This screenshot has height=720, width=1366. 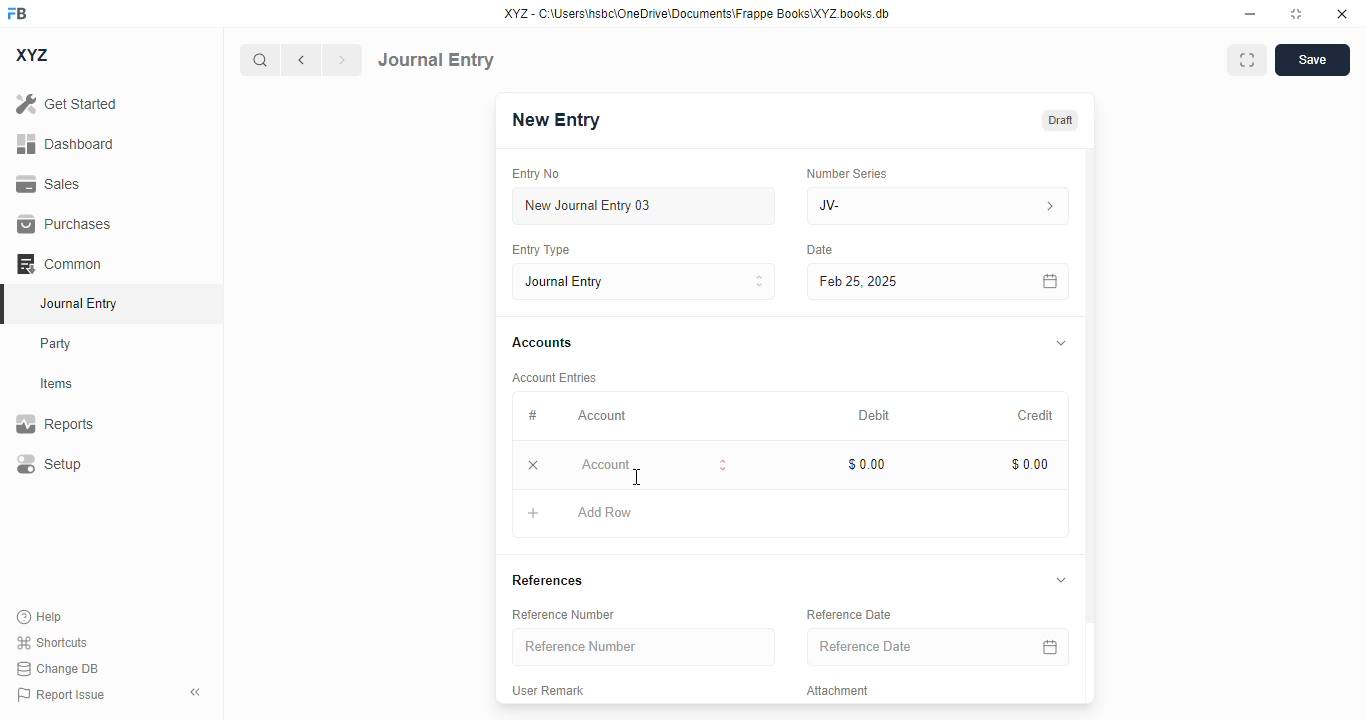 I want to click on XYZ - C:\Users\hsbc\OneDrive\Documents\Frappe Books\XYZ books.db, so click(x=697, y=13).